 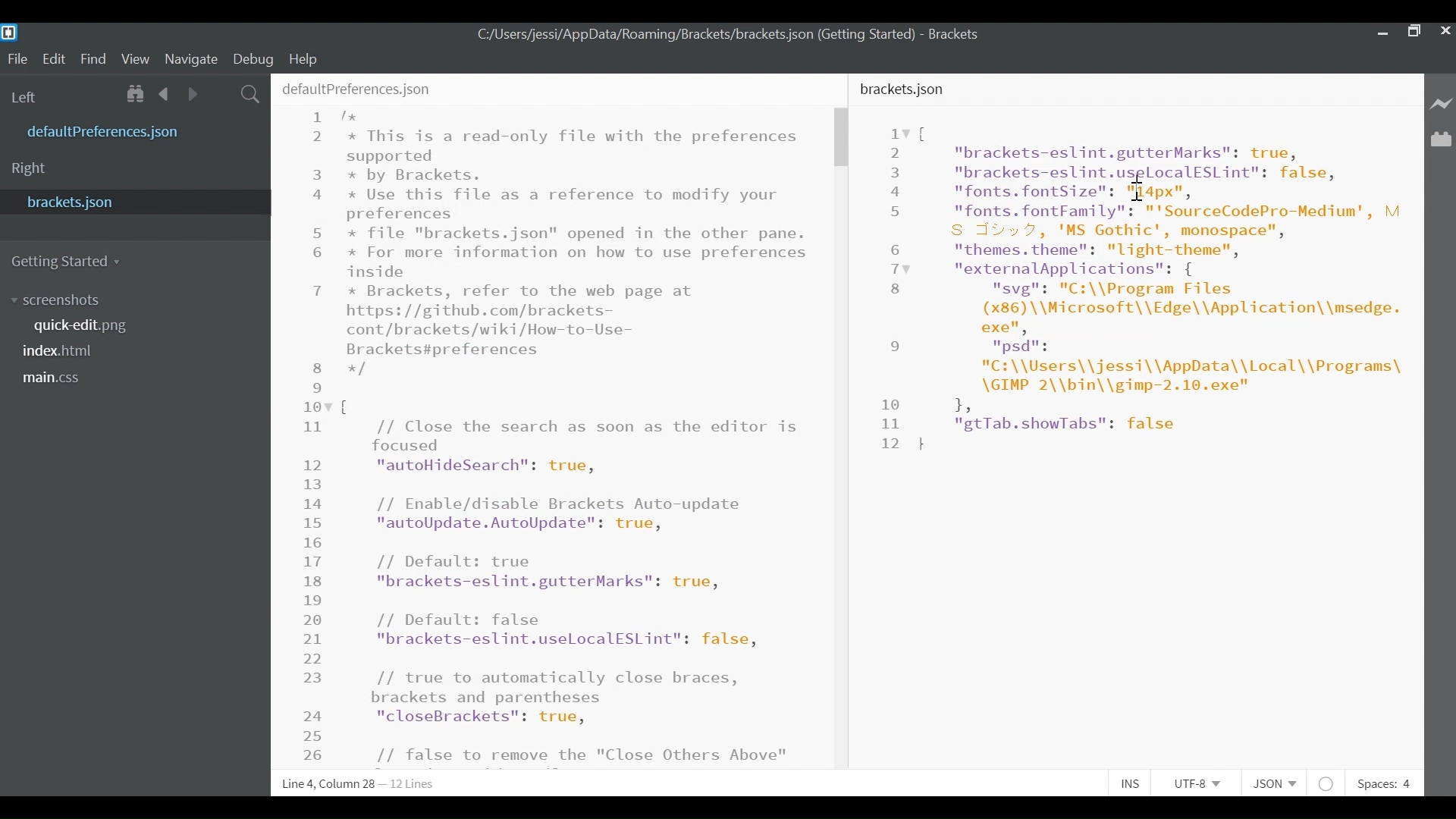 What do you see at coordinates (62, 352) in the screenshot?
I see `index.html` at bounding box center [62, 352].